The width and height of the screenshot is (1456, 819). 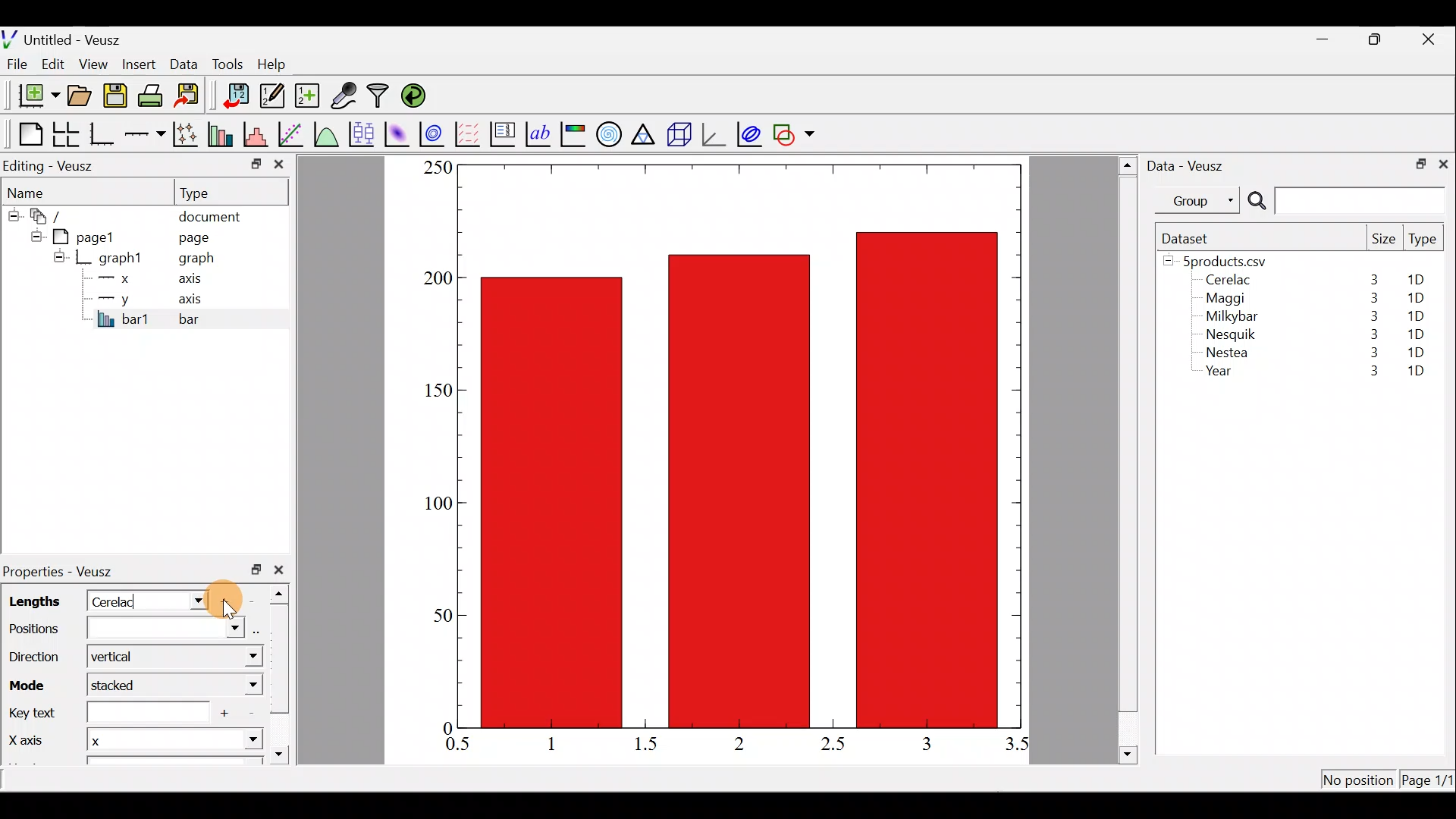 I want to click on Size, so click(x=1383, y=240).